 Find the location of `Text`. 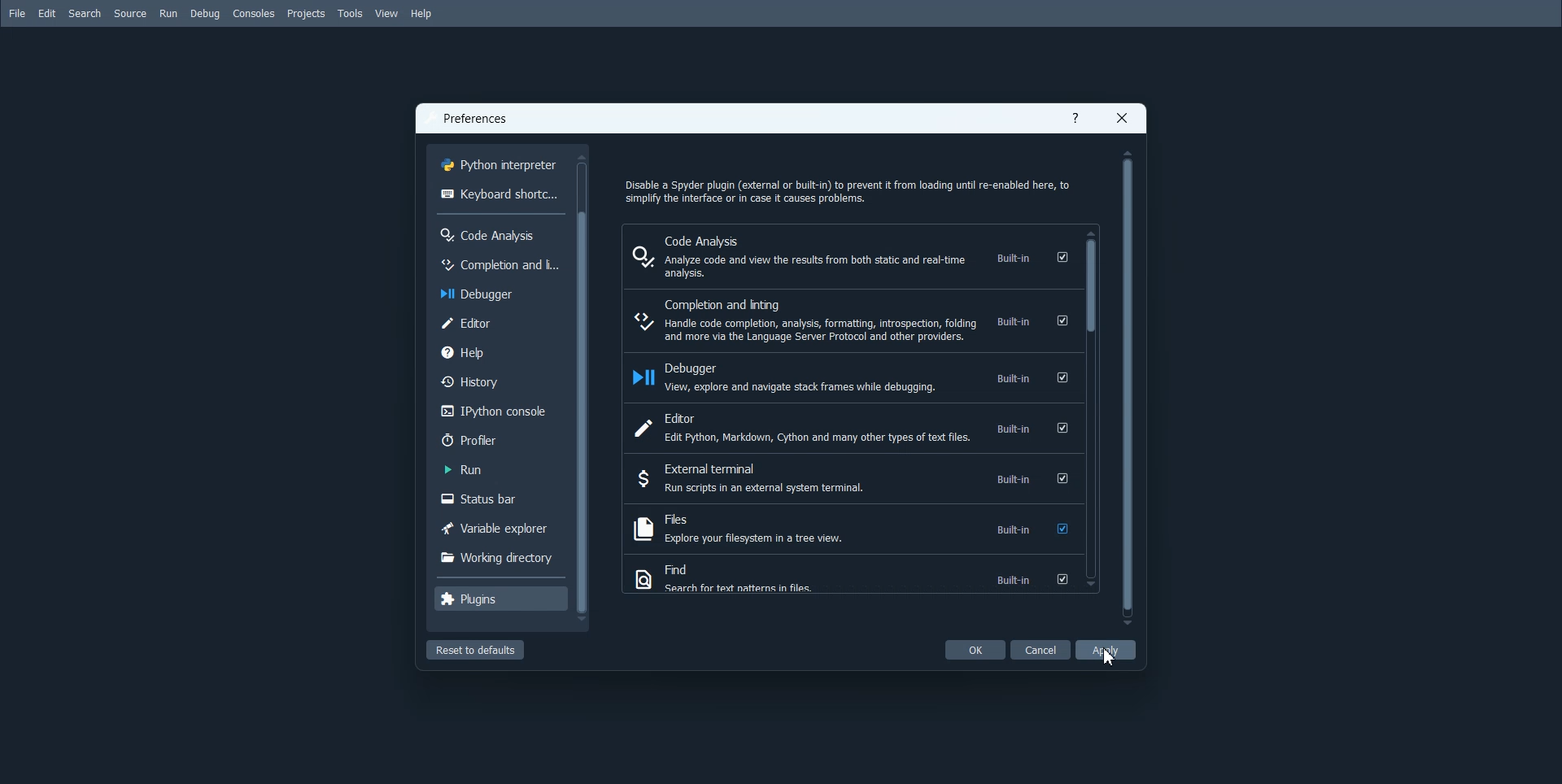

Text is located at coordinates (477, 120).